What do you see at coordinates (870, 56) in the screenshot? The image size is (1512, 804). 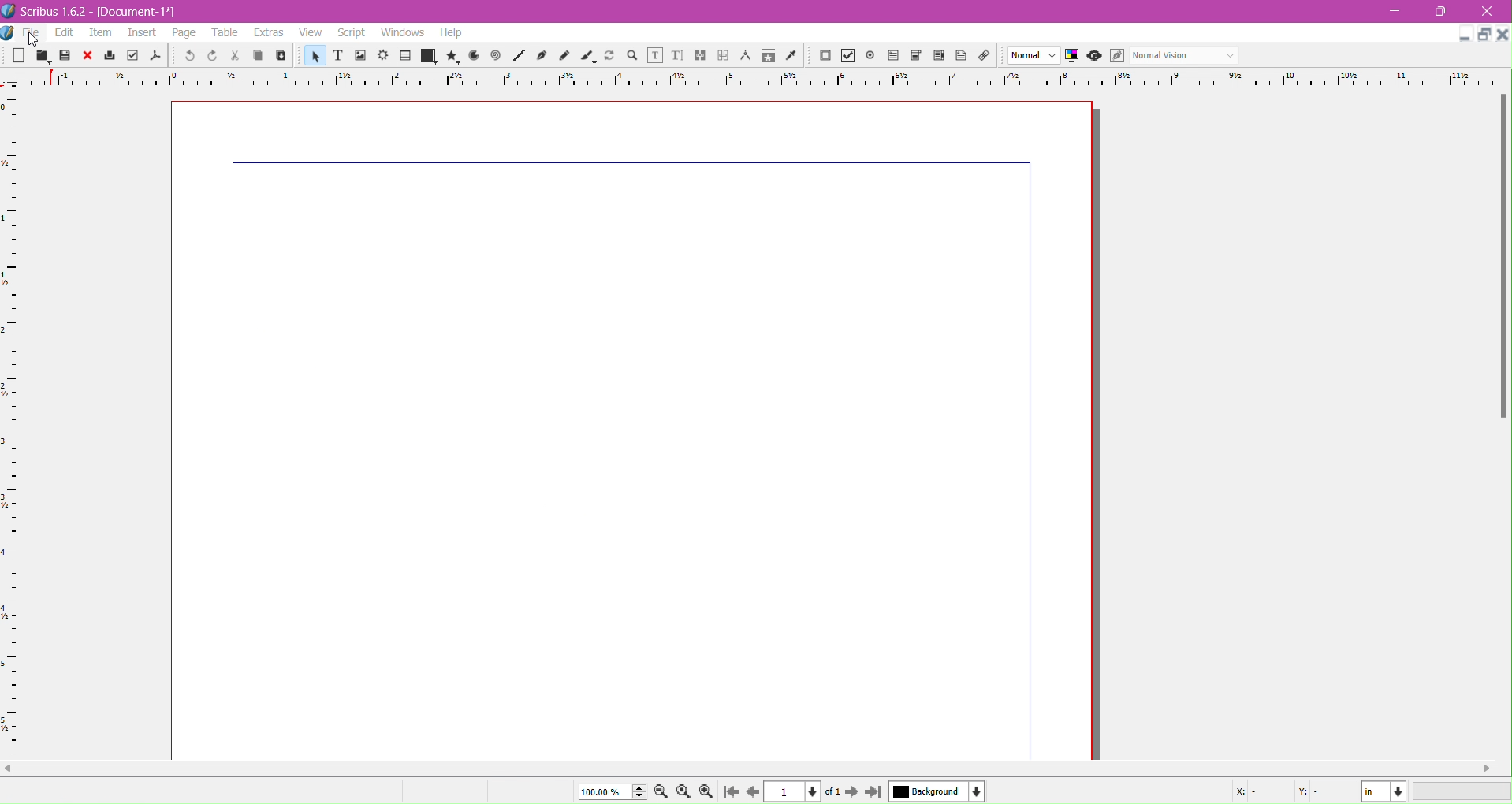 I see `pdf radio button` at bounding box center [870, 56].